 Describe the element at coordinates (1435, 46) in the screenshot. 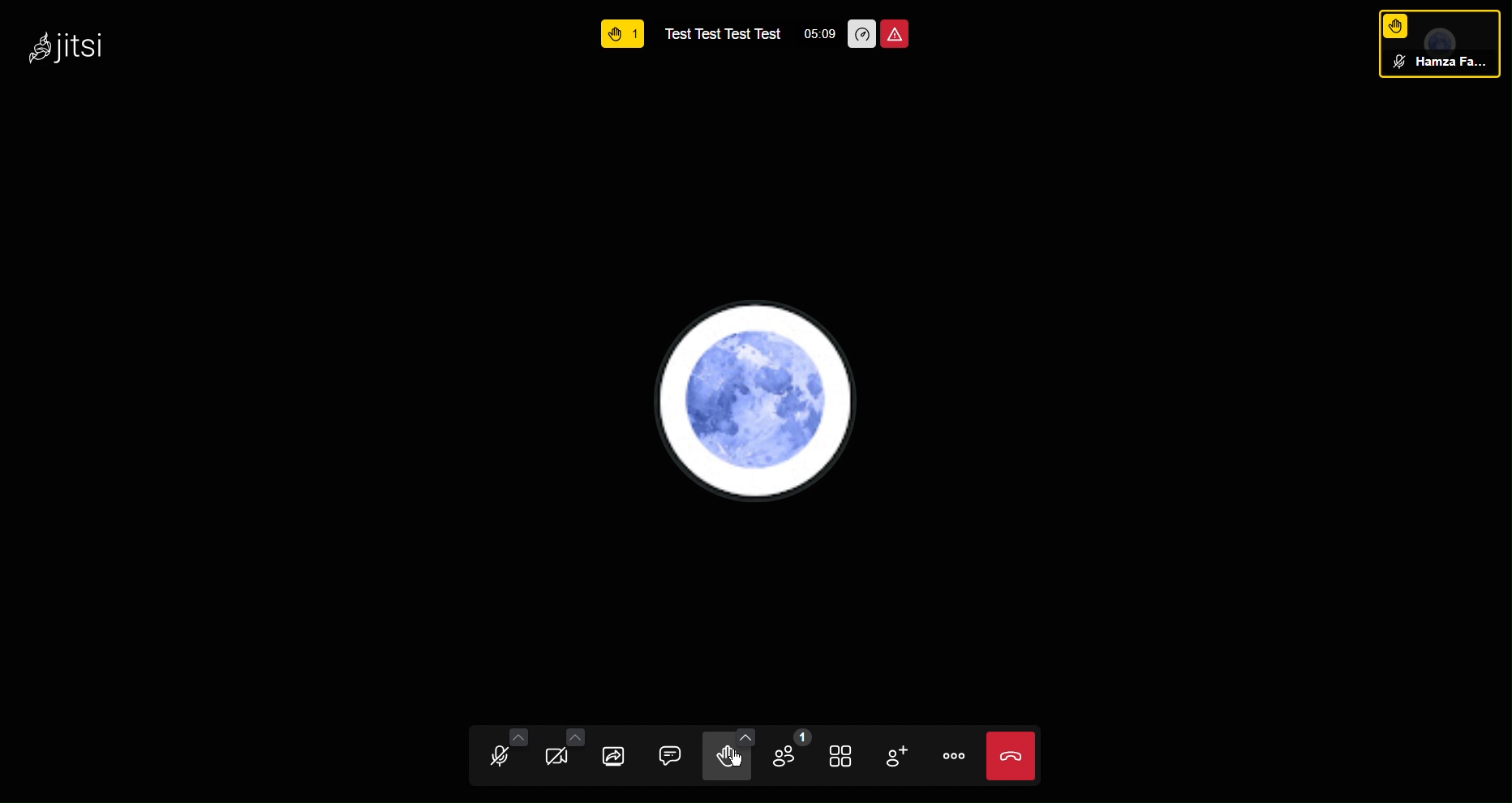

I see `Member view` at that location.